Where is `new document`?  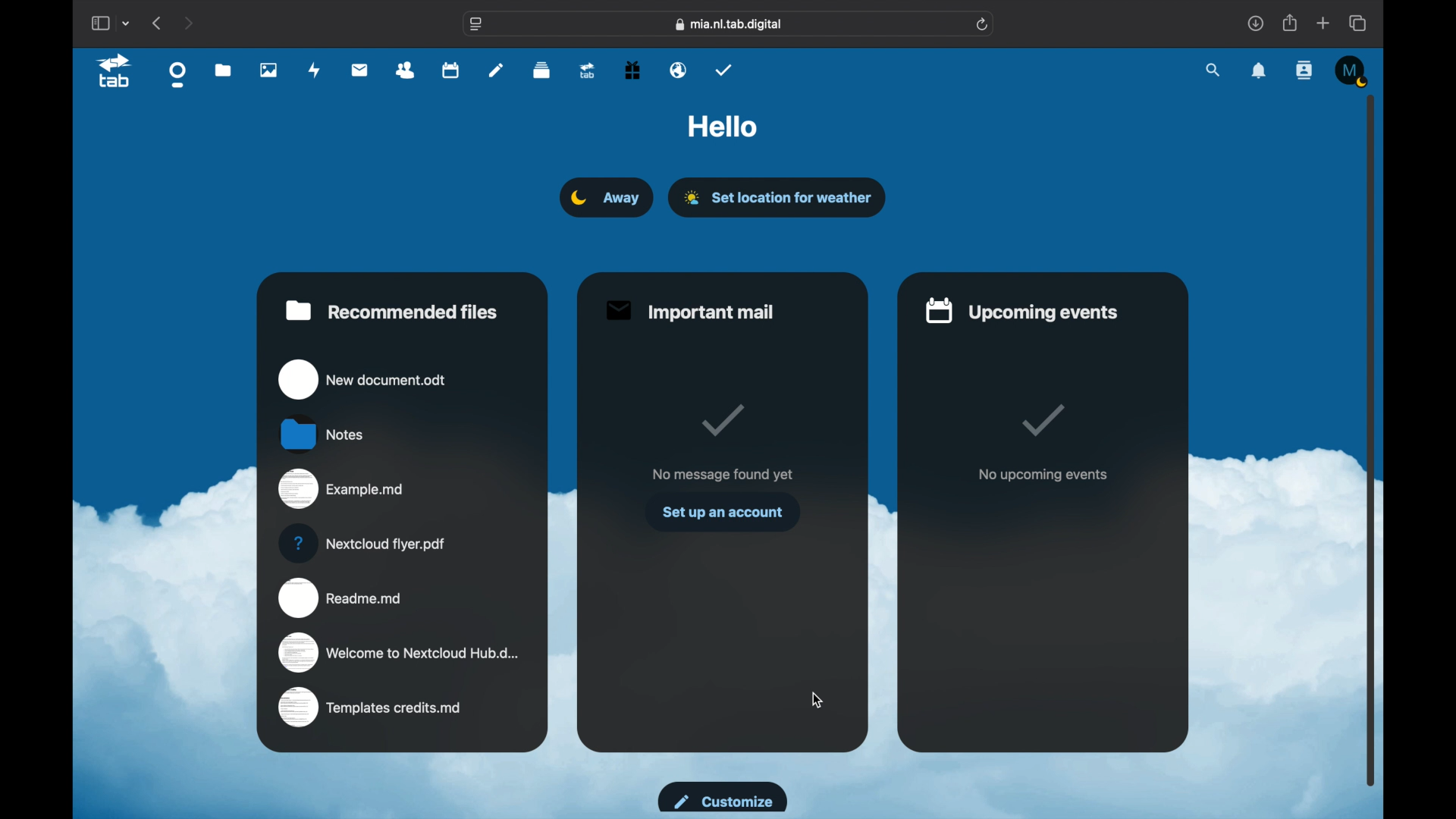
new document is located at coordinates (364, 378).